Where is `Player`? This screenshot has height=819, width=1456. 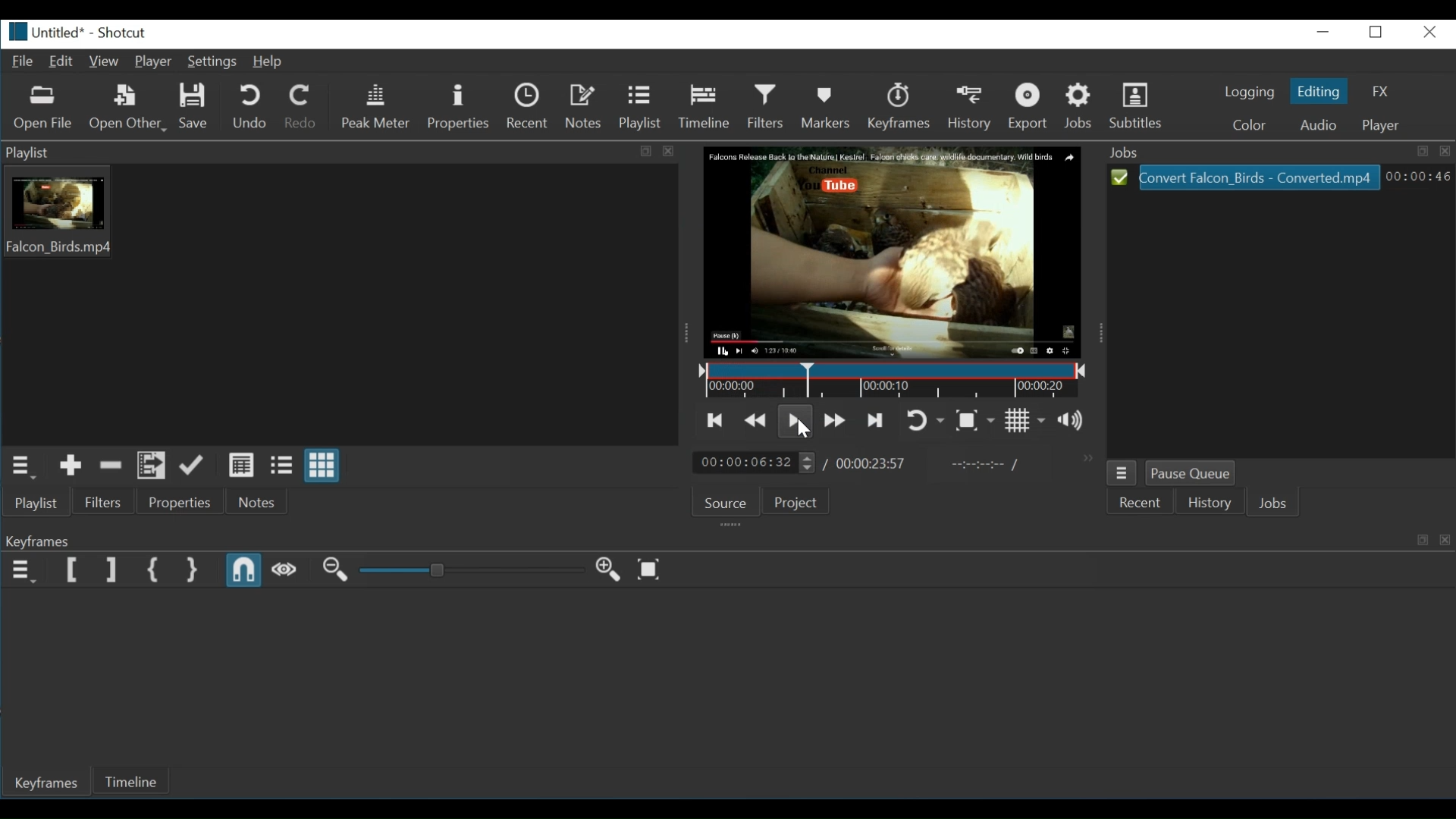 Player is located at coordinates (152, 61).